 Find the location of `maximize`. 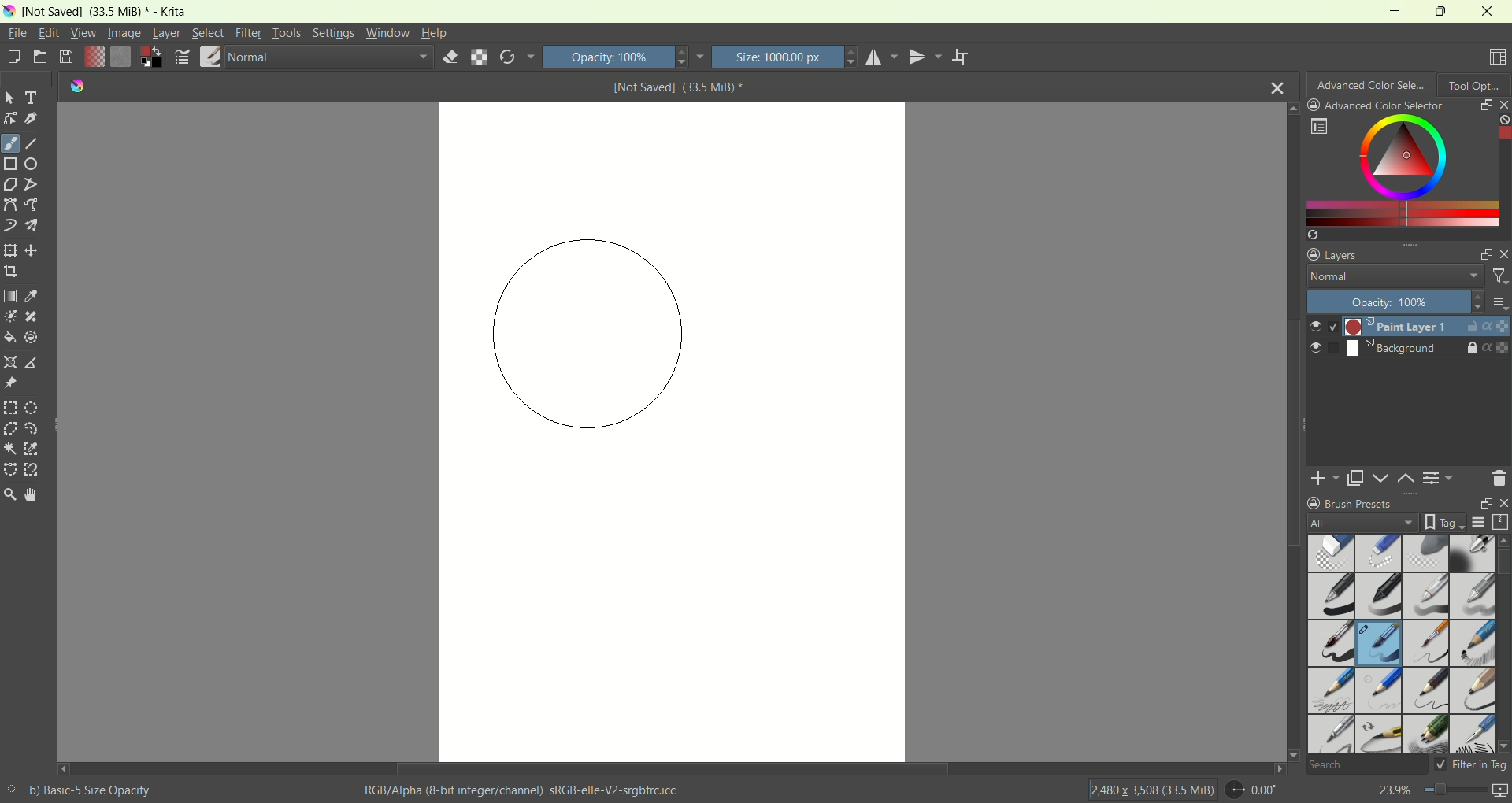

maximize is located at coordinates (1438, 11).